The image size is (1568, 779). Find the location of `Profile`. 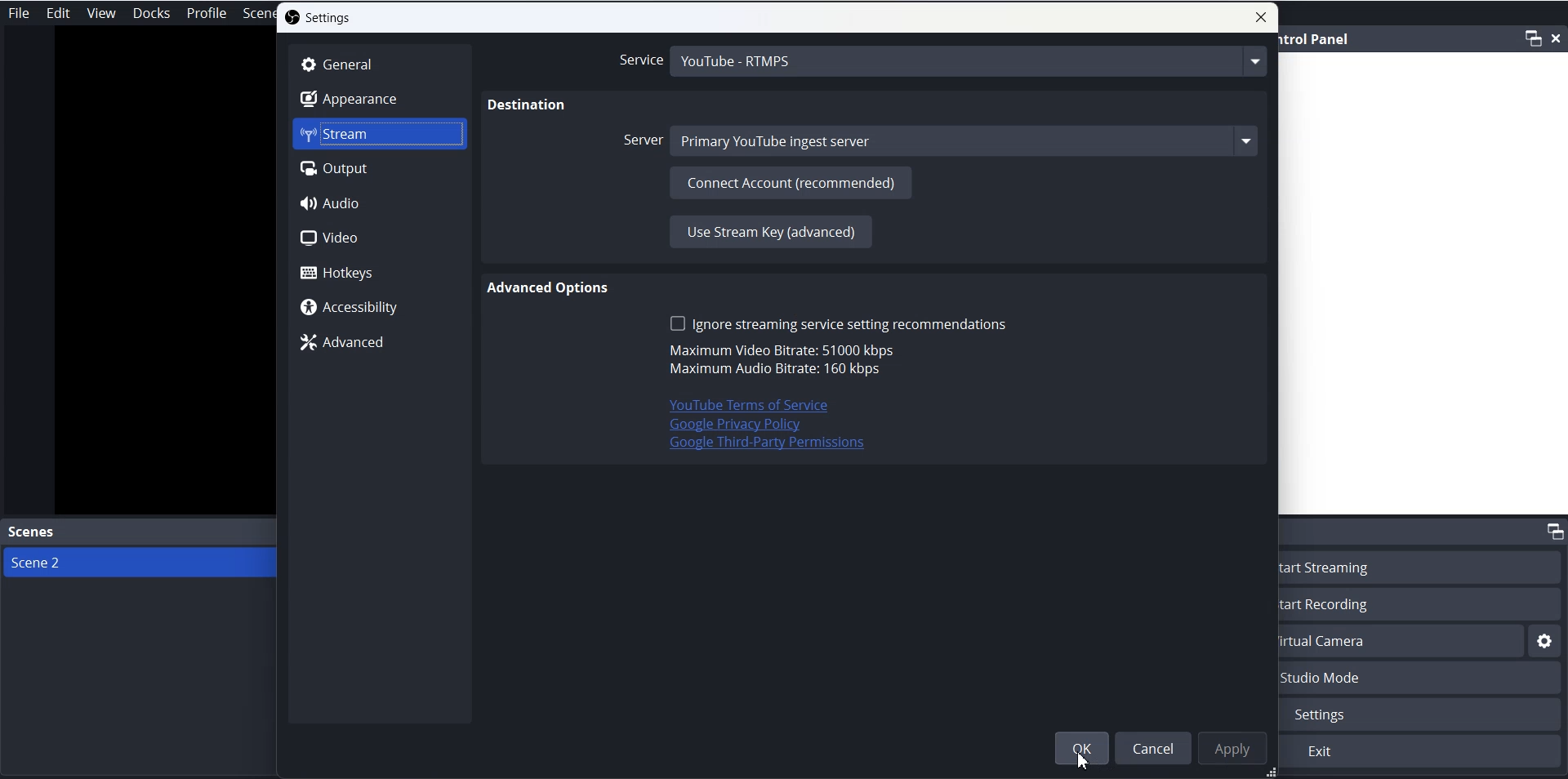

Profile is located at coordinates (207, 13).